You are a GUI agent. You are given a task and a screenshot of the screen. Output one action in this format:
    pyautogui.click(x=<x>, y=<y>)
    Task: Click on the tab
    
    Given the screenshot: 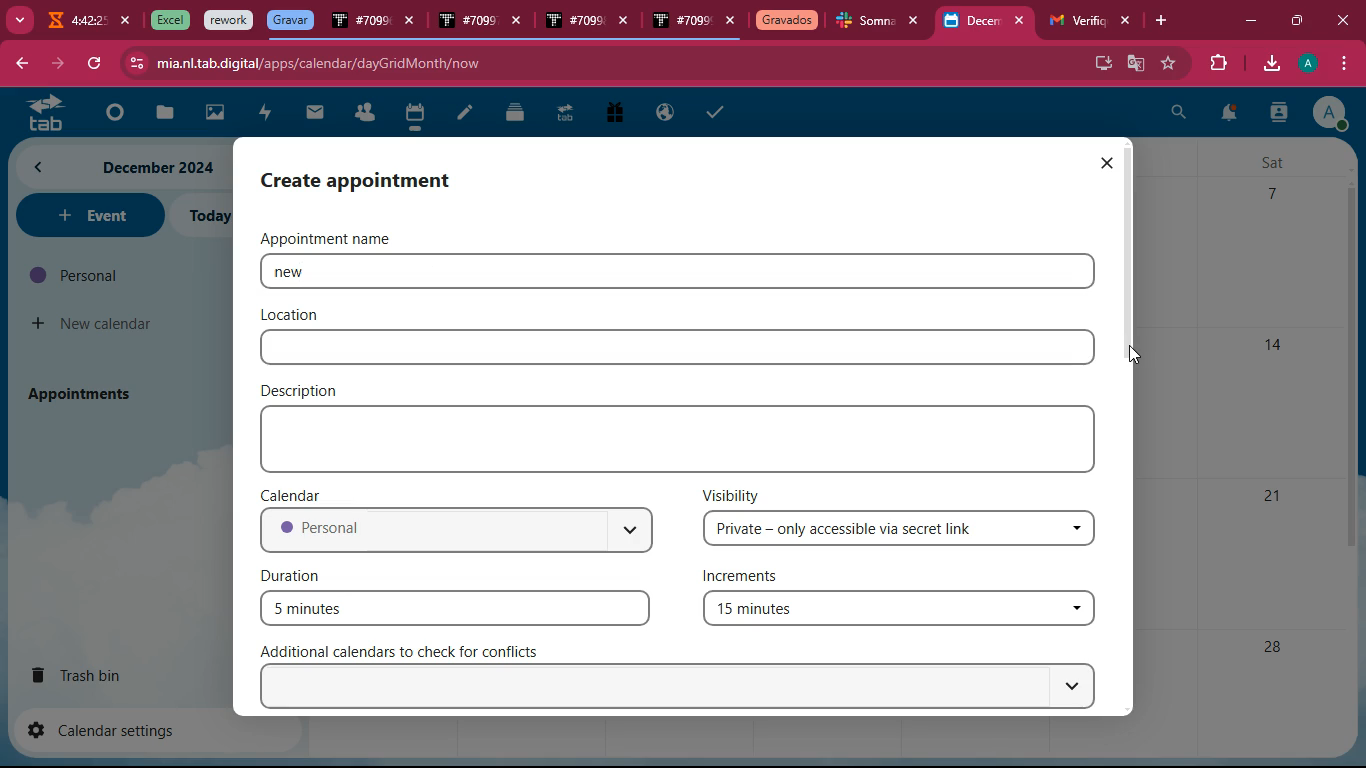 What is the action you would take?
    pyautogui.click(x=39, y=112)
    